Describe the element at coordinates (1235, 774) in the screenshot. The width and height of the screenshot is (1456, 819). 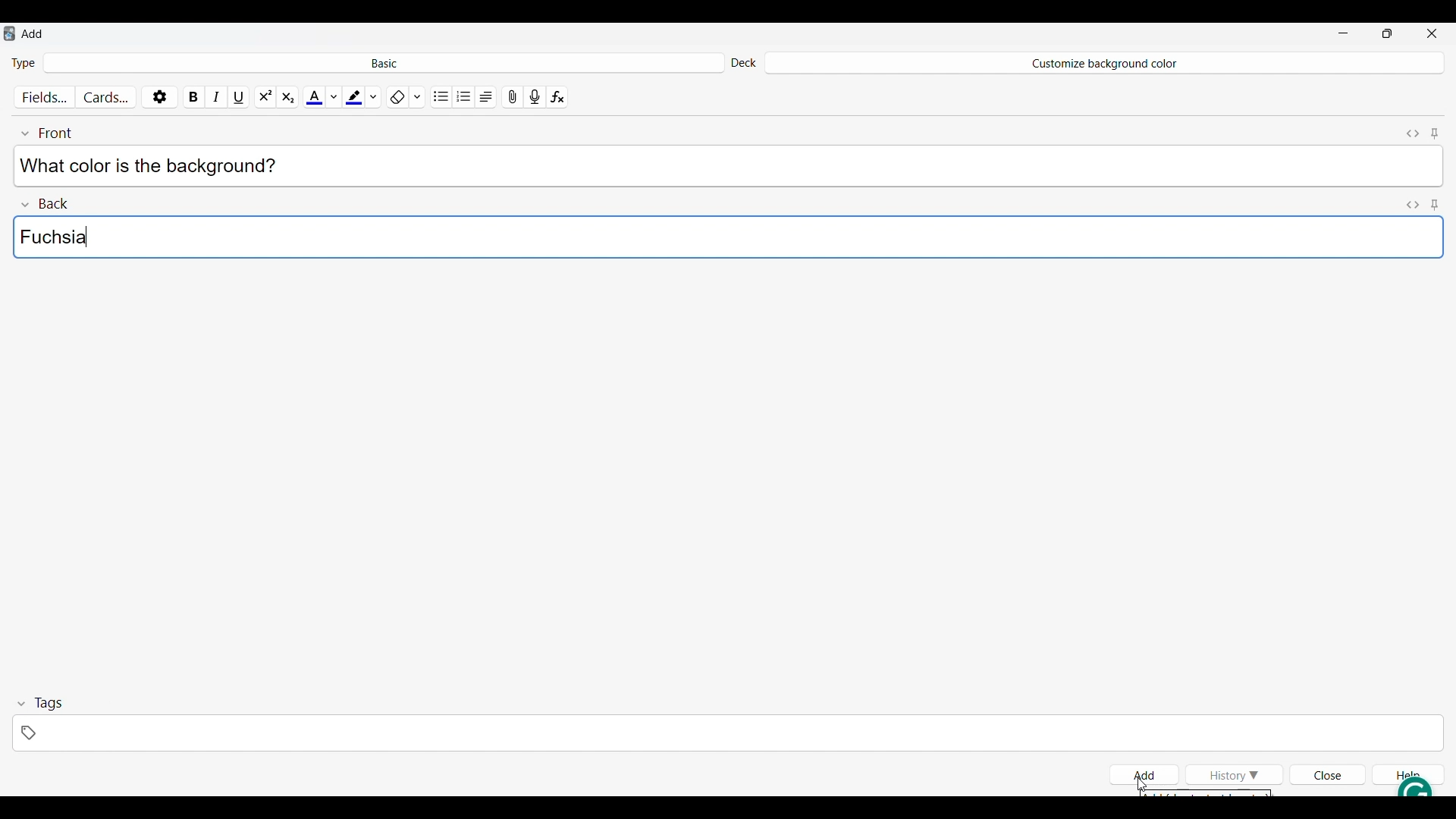
I see `` at that location.